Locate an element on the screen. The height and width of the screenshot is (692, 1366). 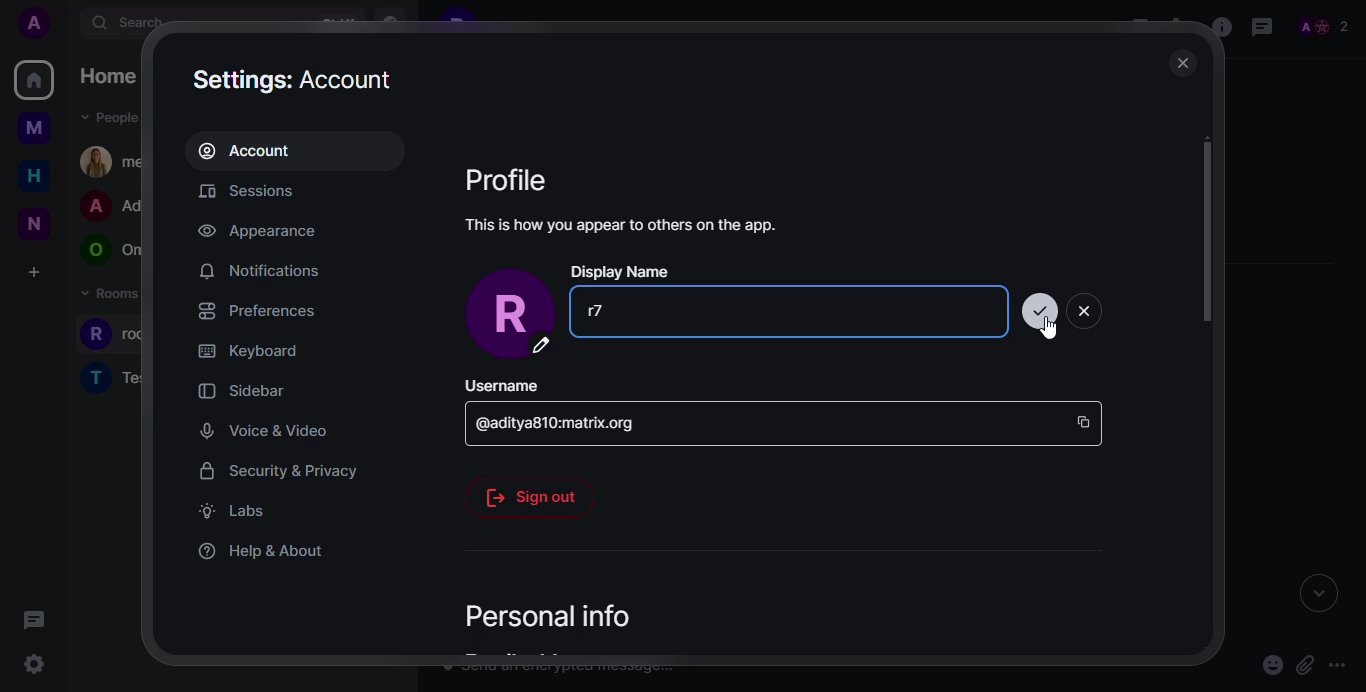
new is located at coordinates (38, 223).